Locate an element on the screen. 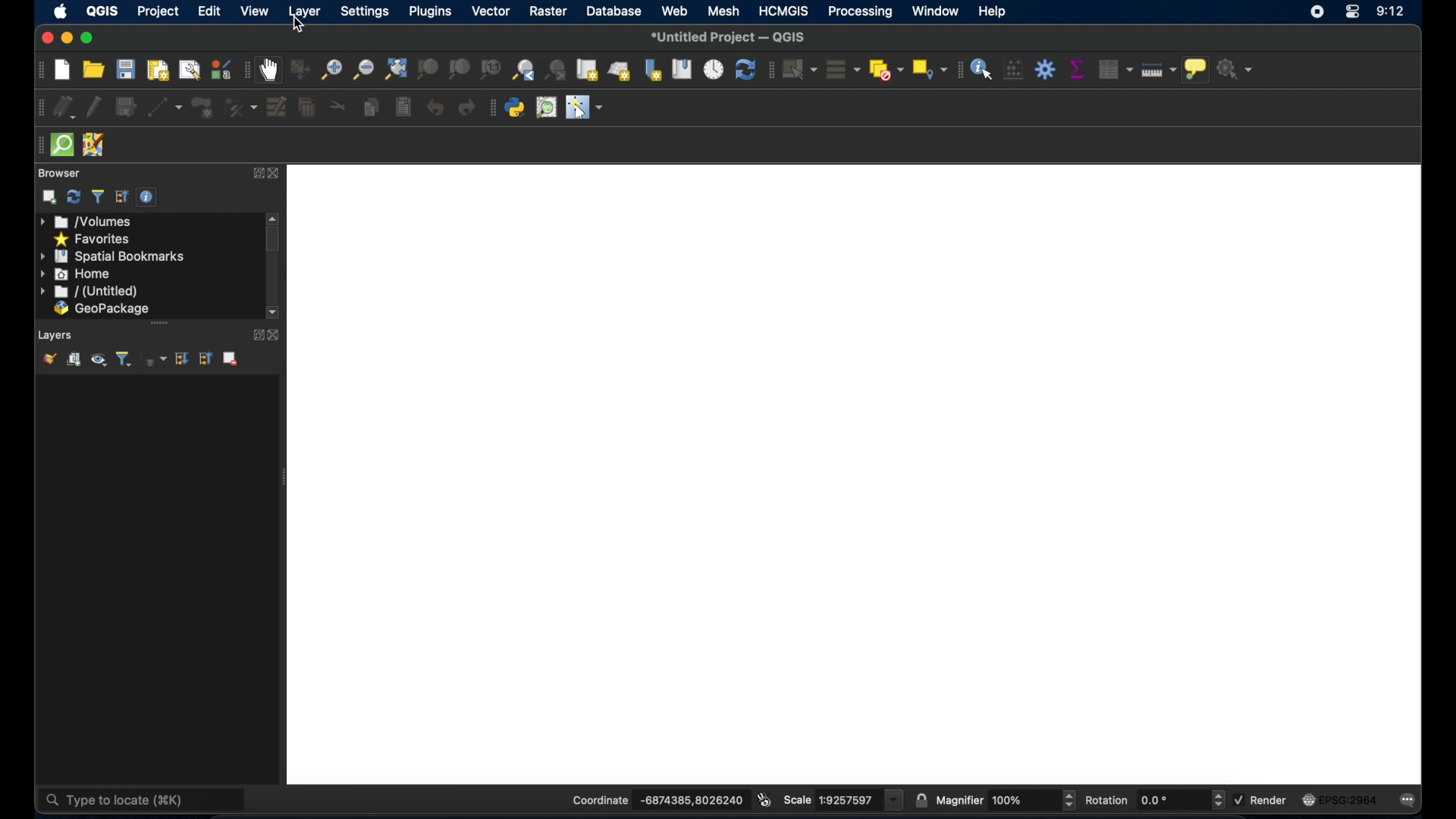  9:12 is located at coordinates (1392, 12).